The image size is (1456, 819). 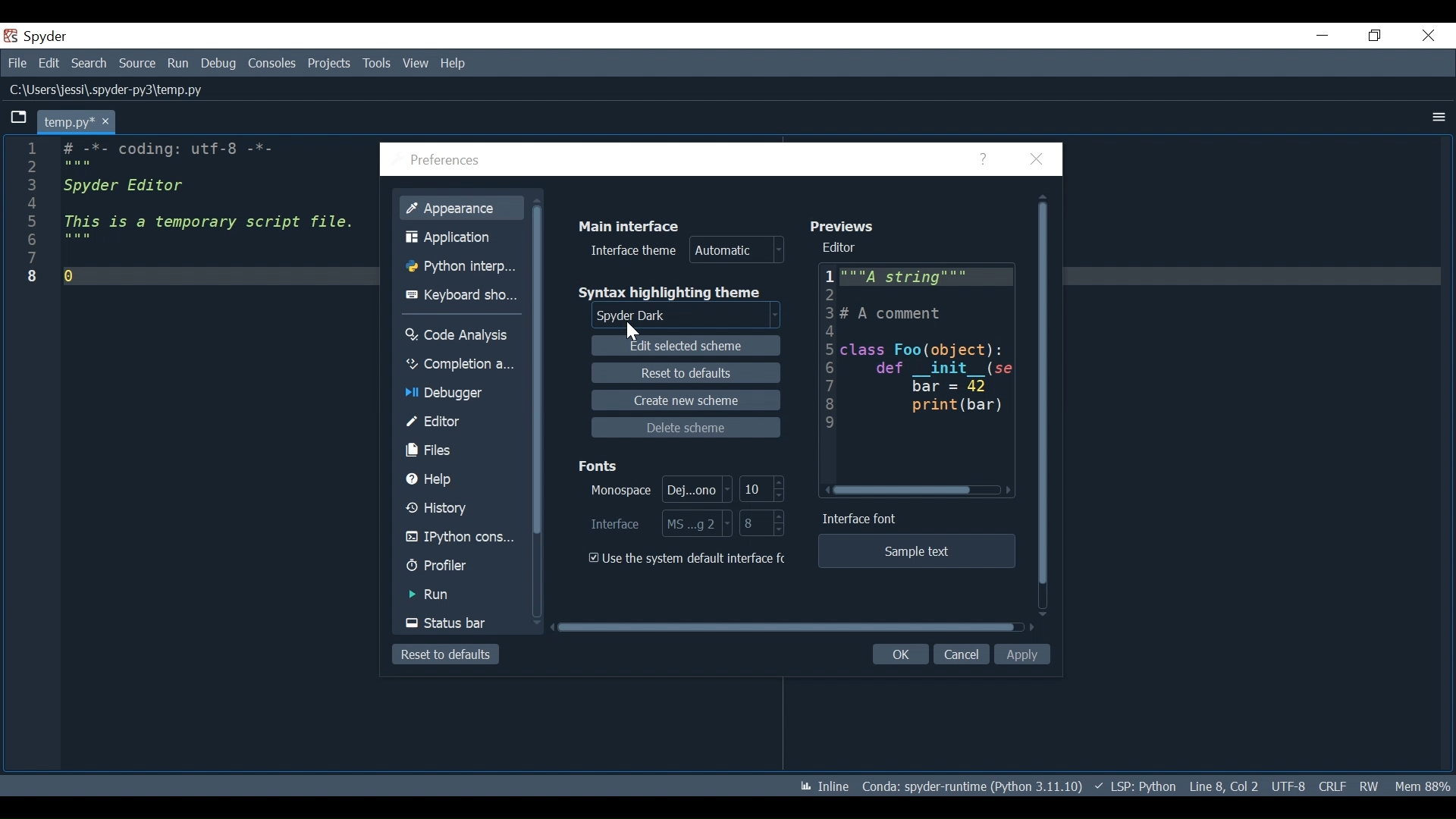 I want to click on Help, so click(x=453, y=64).